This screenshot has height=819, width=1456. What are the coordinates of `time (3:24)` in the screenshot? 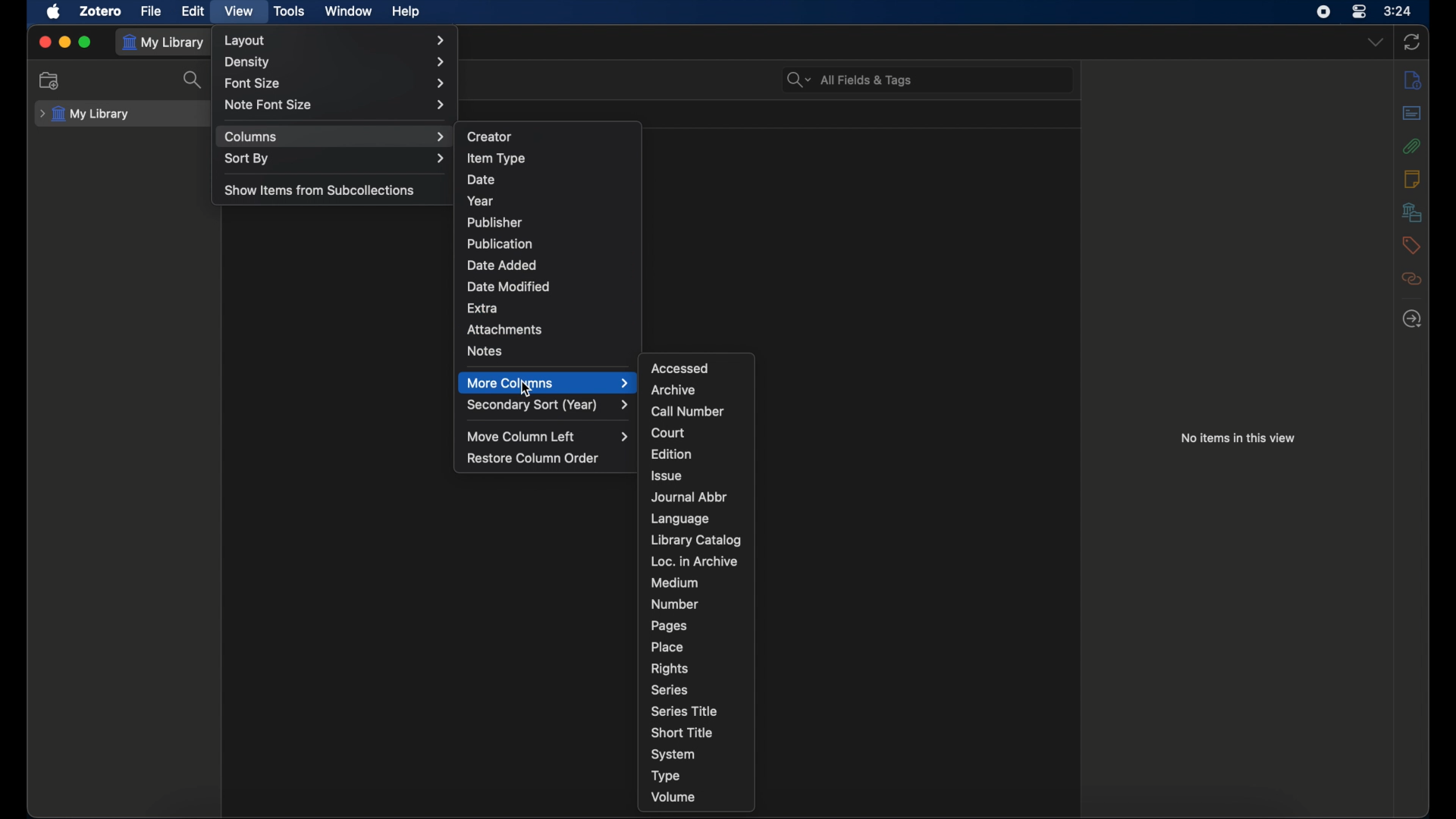 It's located at (1398, 10).